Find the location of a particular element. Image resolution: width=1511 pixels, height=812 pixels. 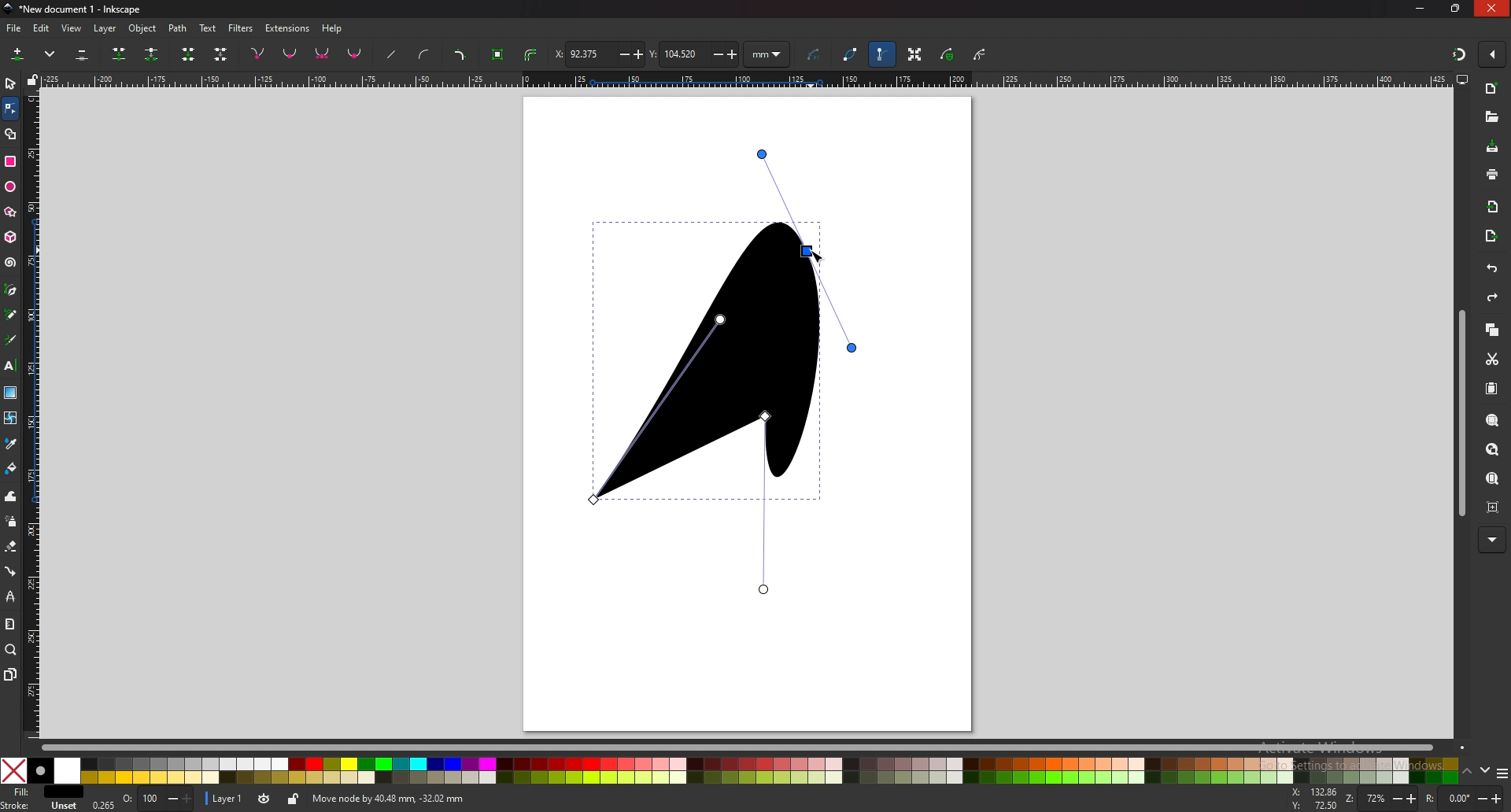

colors is located at coordinates (730, 770).